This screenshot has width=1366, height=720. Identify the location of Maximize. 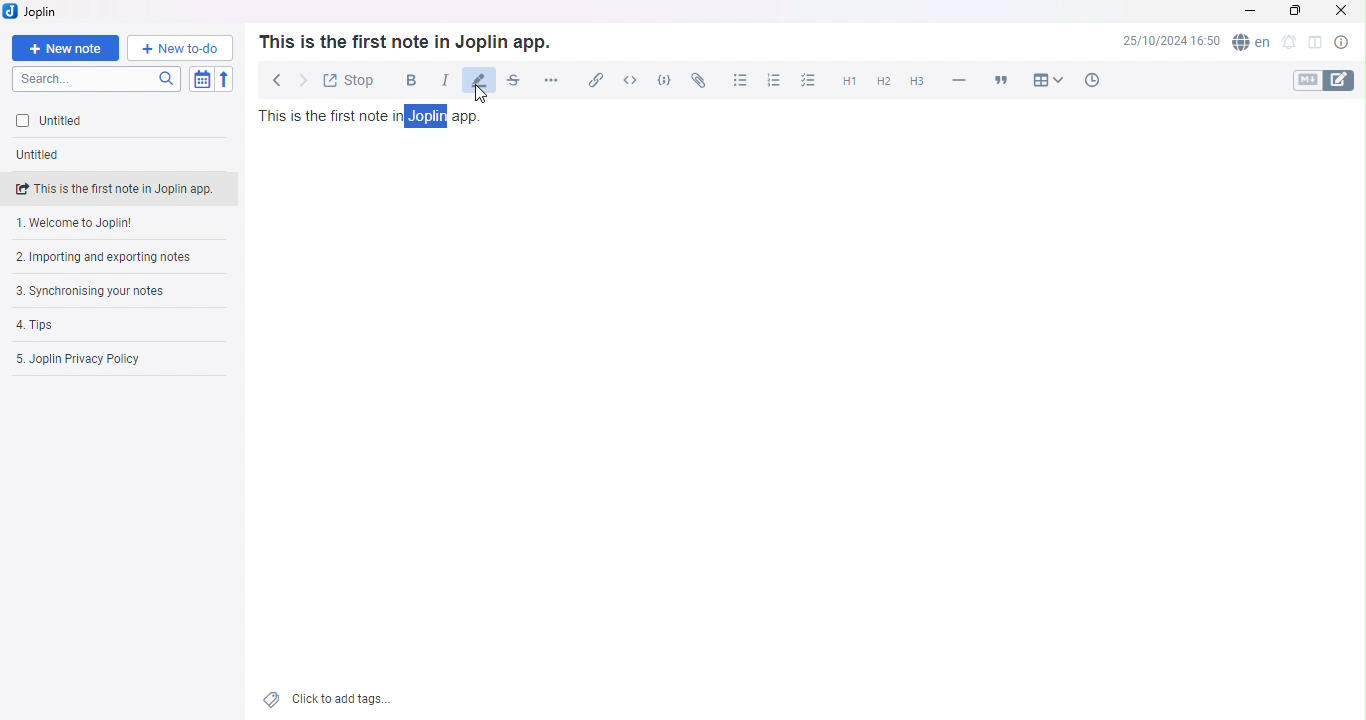
(1294, 14).